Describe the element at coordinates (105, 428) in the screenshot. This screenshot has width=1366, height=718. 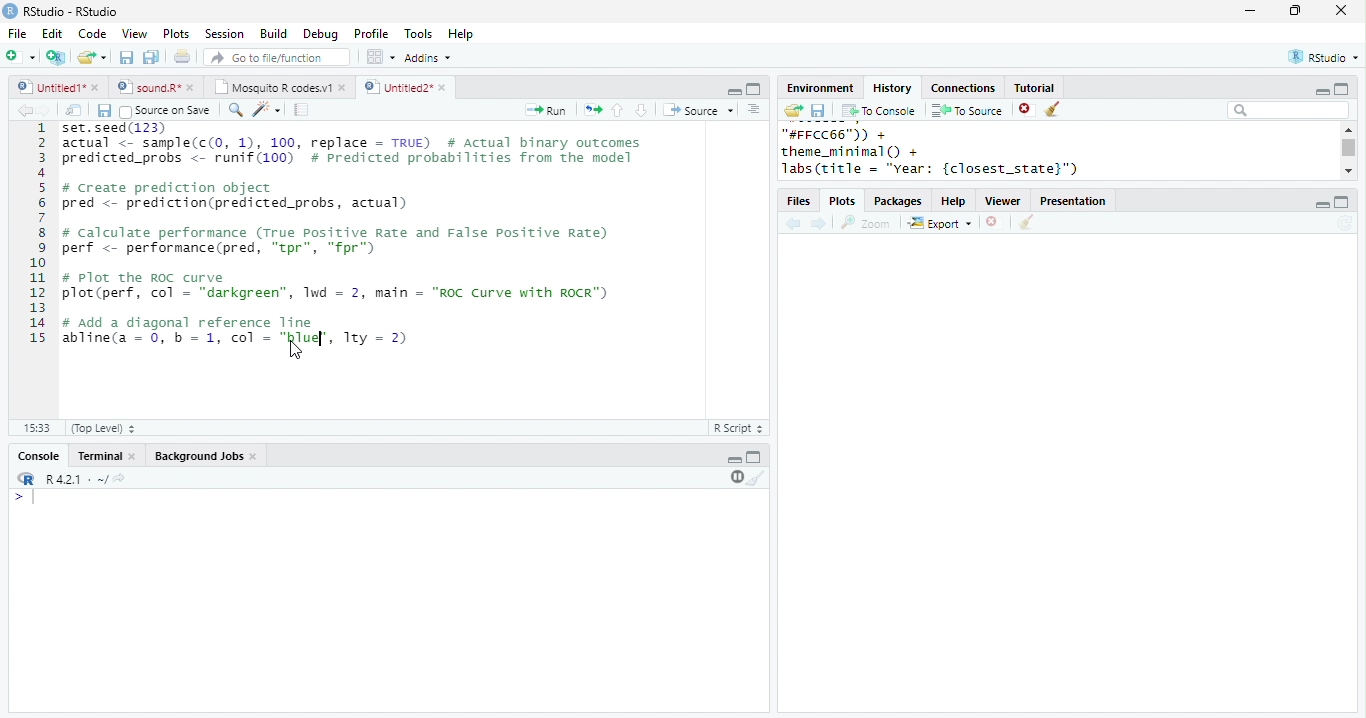
I see `Top Level` at that location.